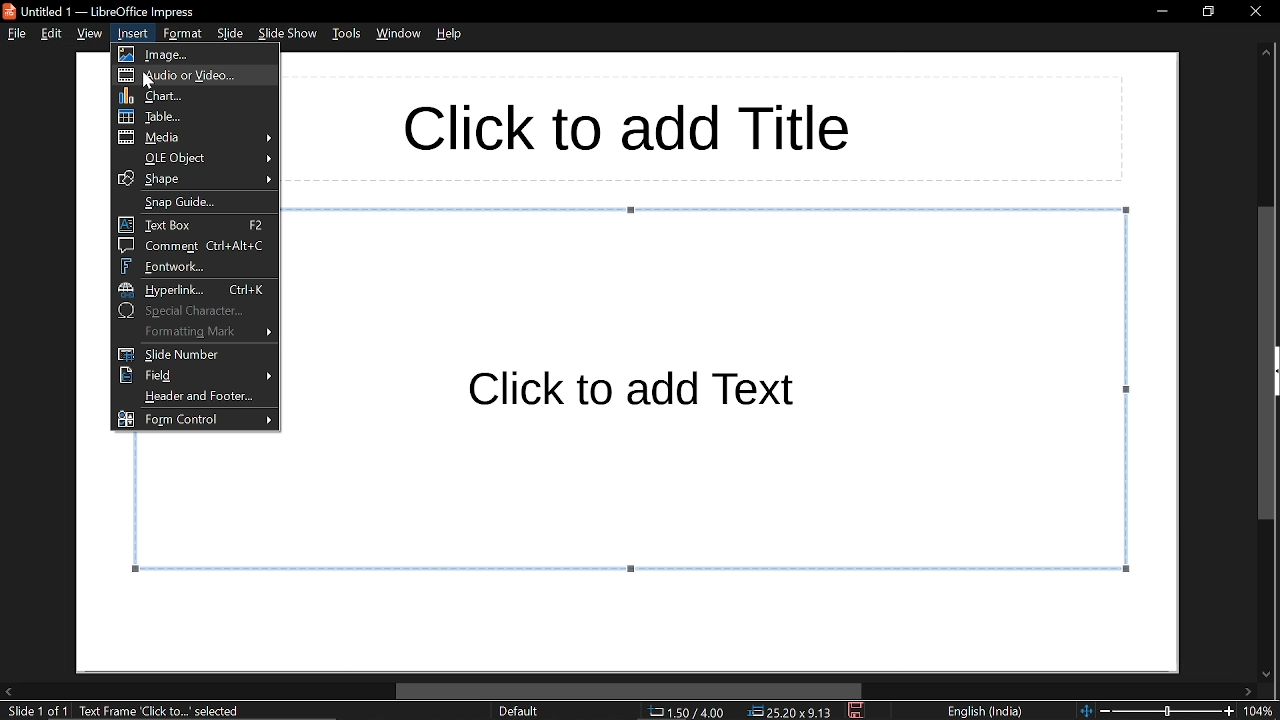  What do you see at coordinates (639, 391) in the screenshot?
I see `click to add text` at bounding box center [639, 391].